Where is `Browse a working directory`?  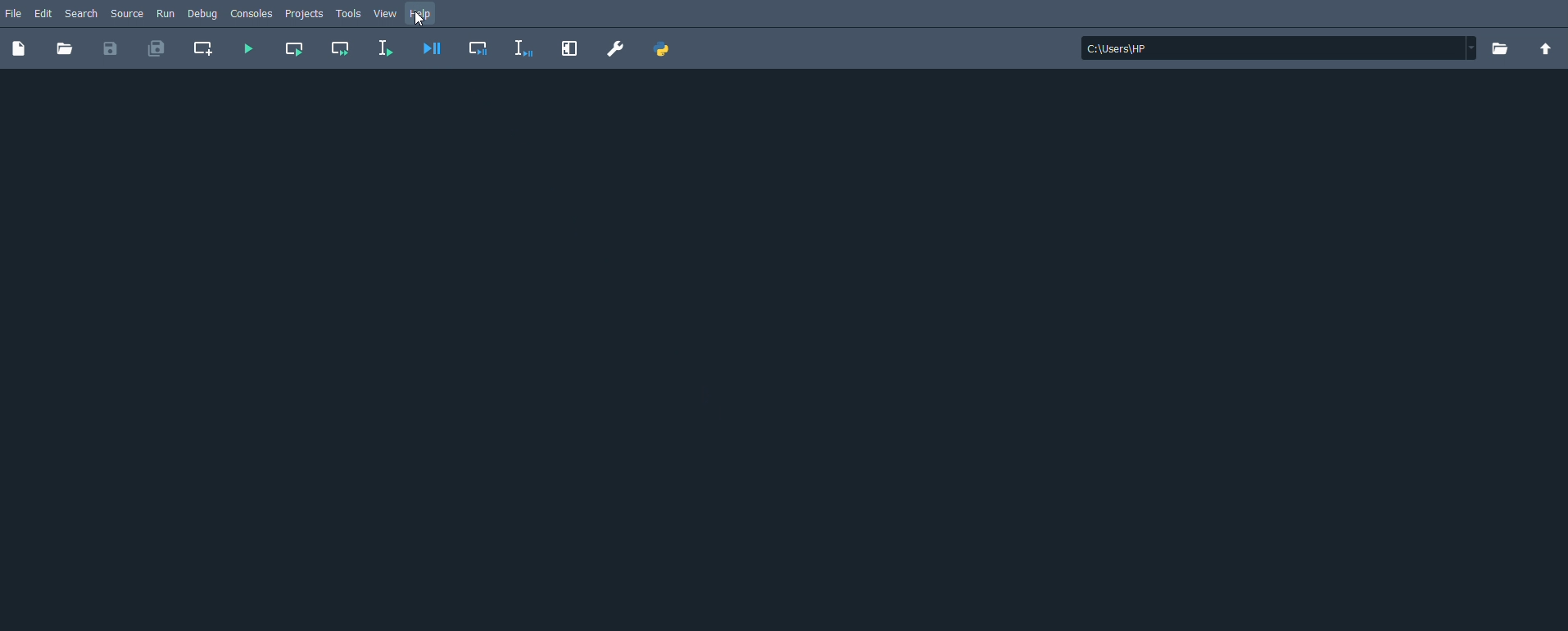
Browse a working directory is located at coordinates (1501, 48).